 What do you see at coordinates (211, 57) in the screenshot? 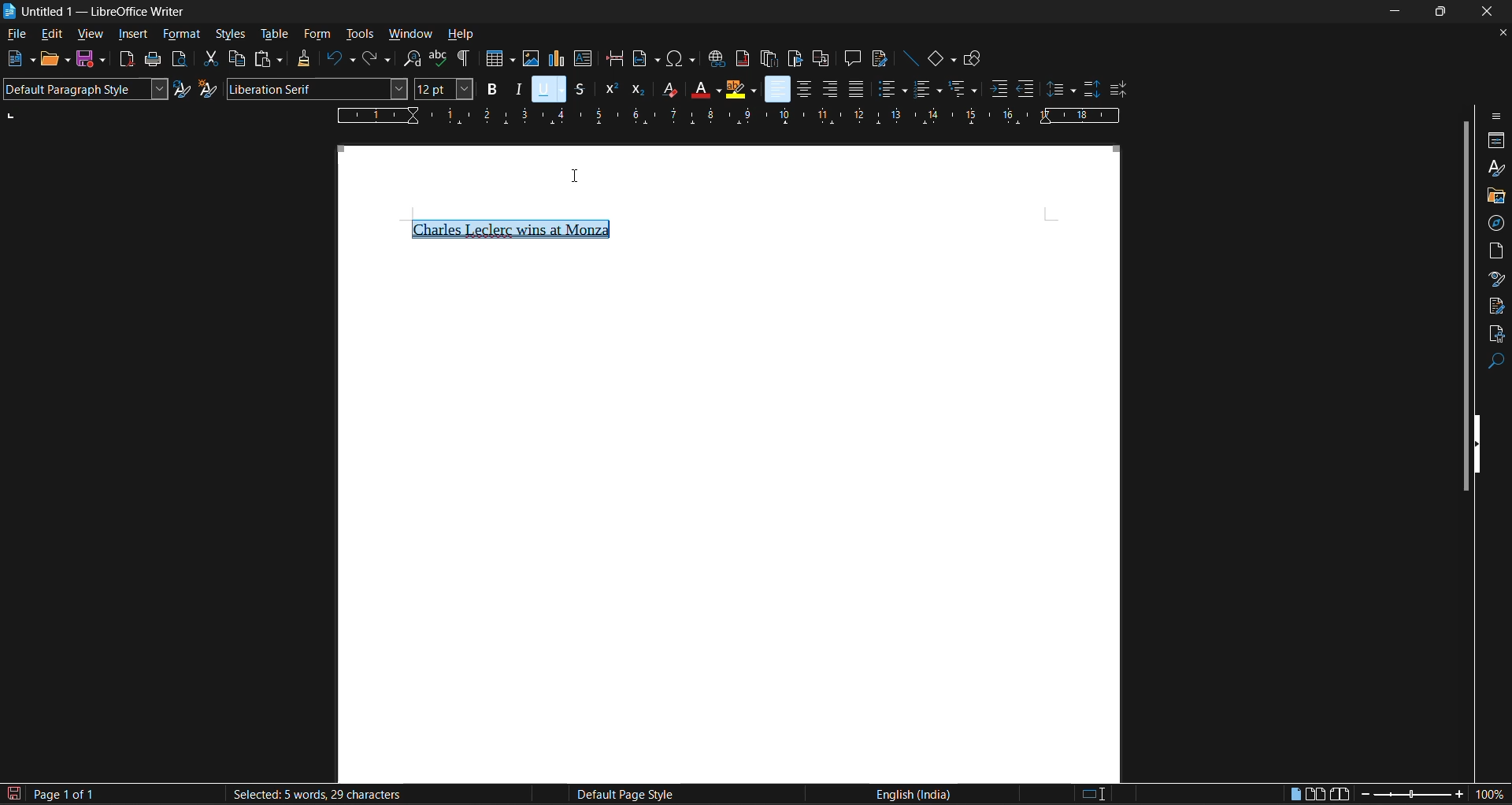
I see `cut` at bounding box center [211, 57].